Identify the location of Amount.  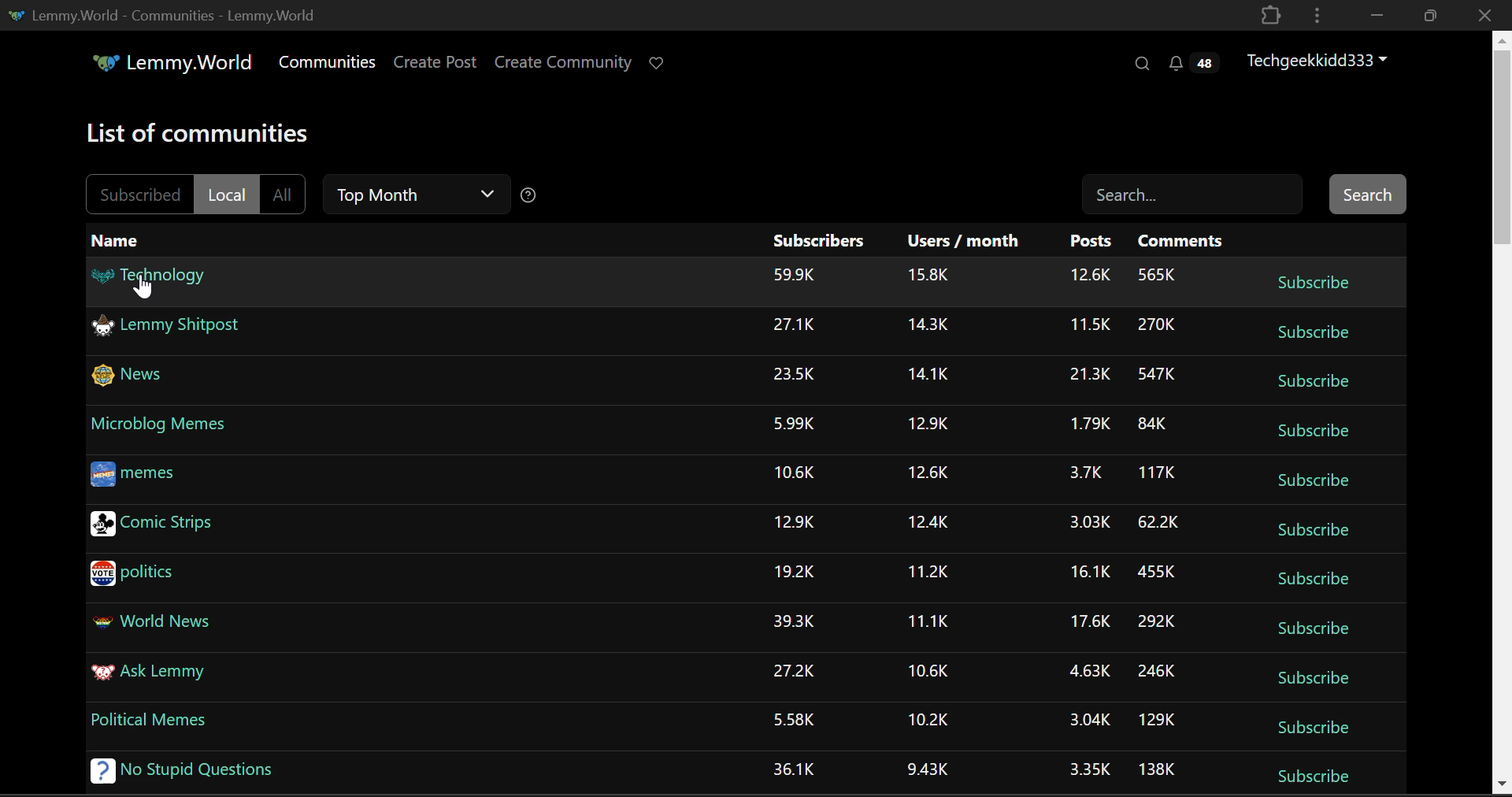
(925, 673).